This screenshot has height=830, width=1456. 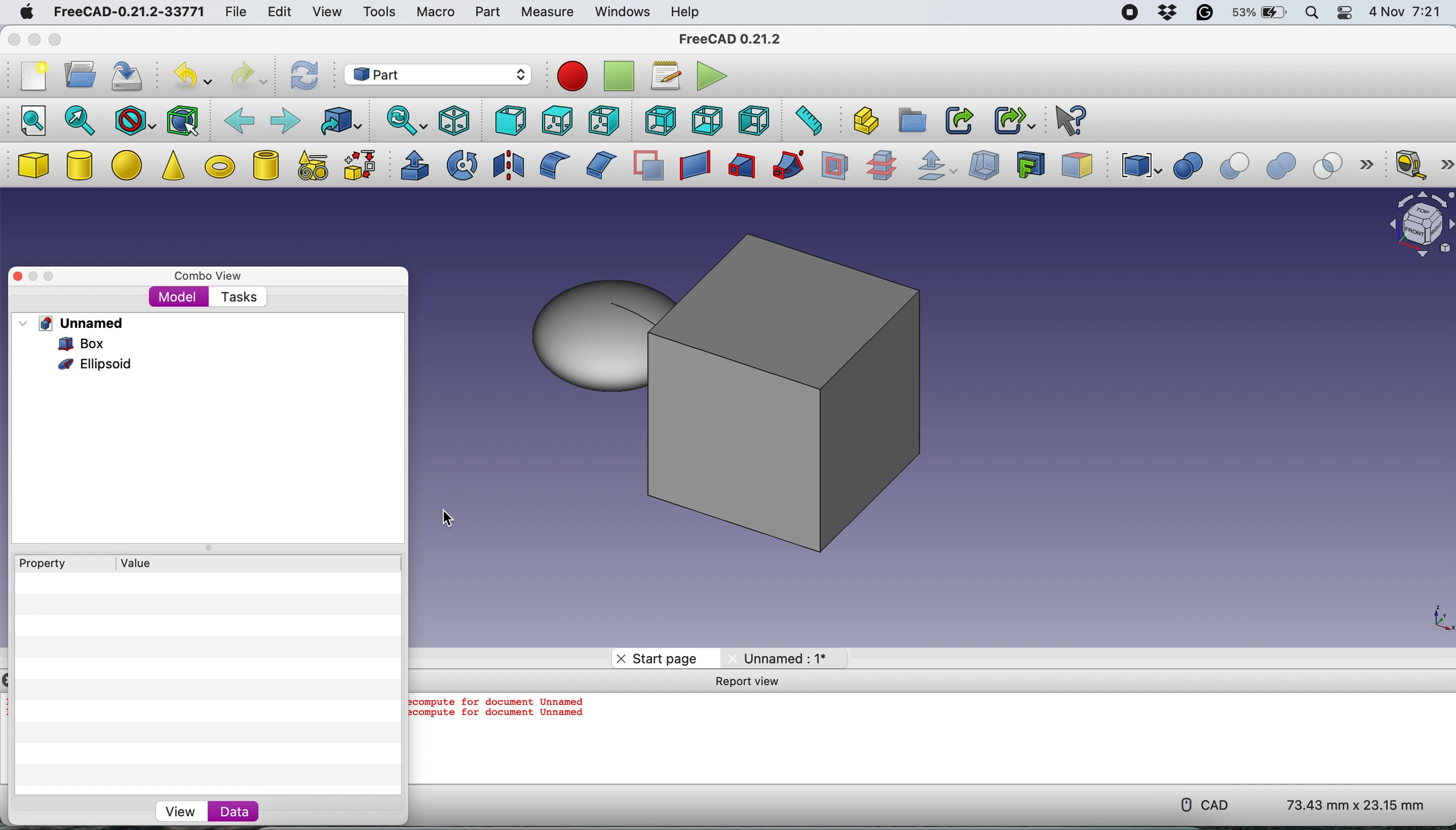 What do you see at coordinates (1031, 164) in the screenshot?
I see `create projection on surface` at bounding box center [1031, 164].